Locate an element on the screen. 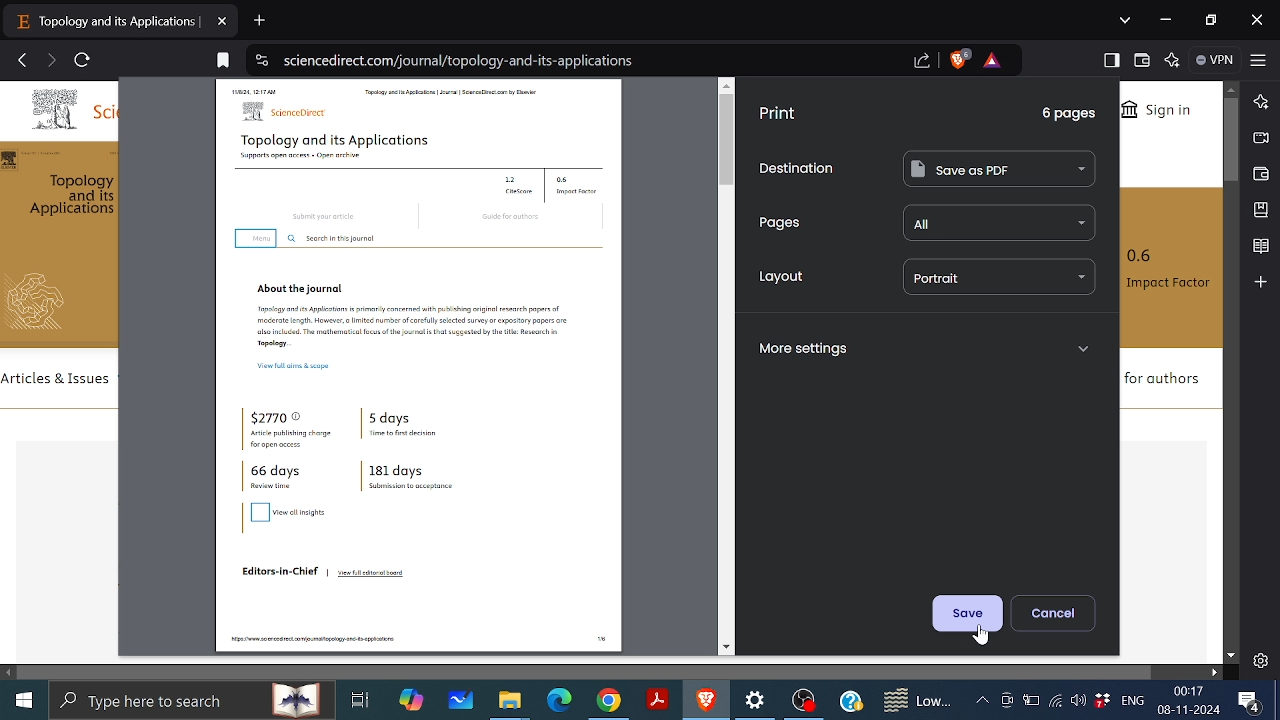  Help is located at coordinates (850, 700).